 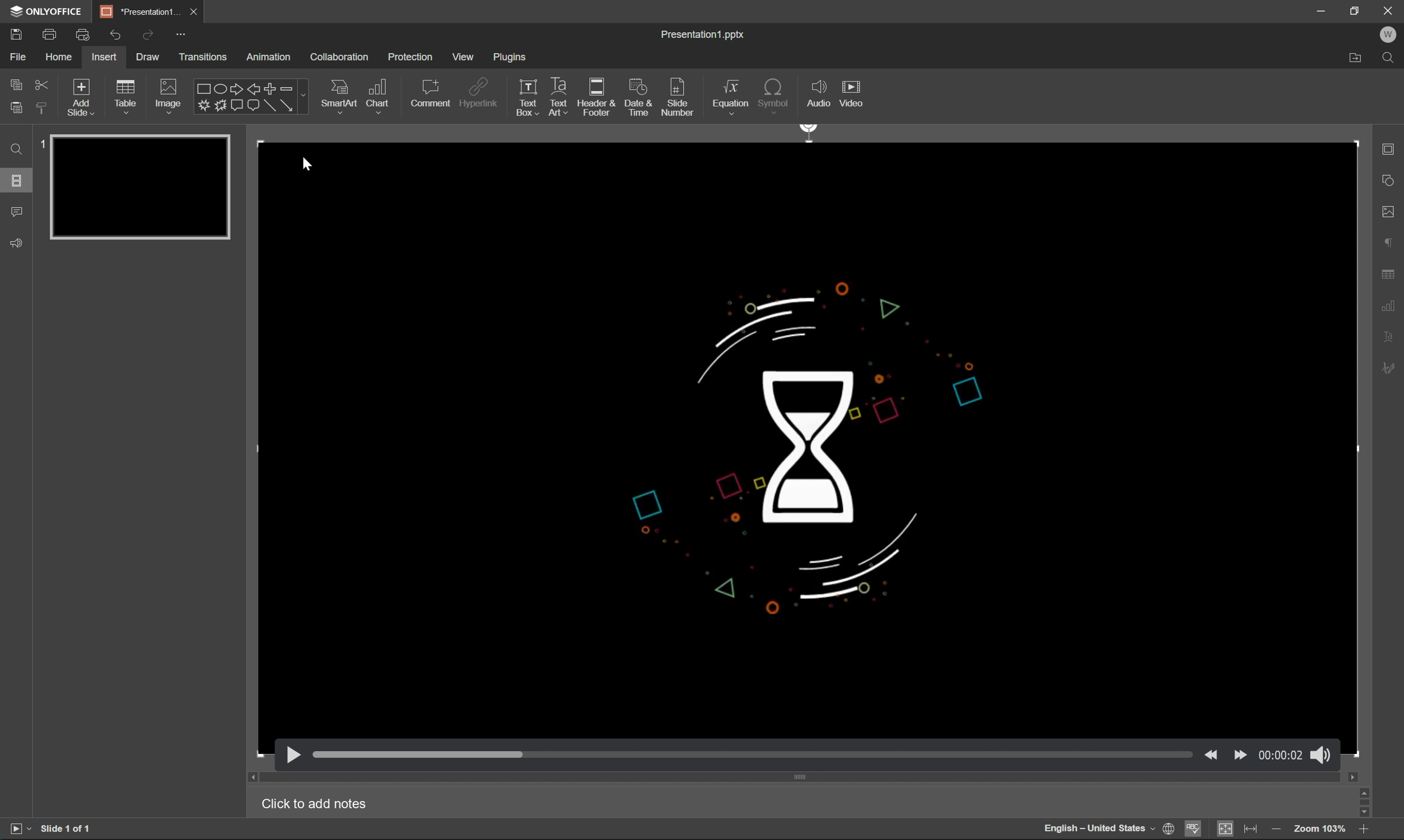 I want to click on Find, so click(x=18, y=152).